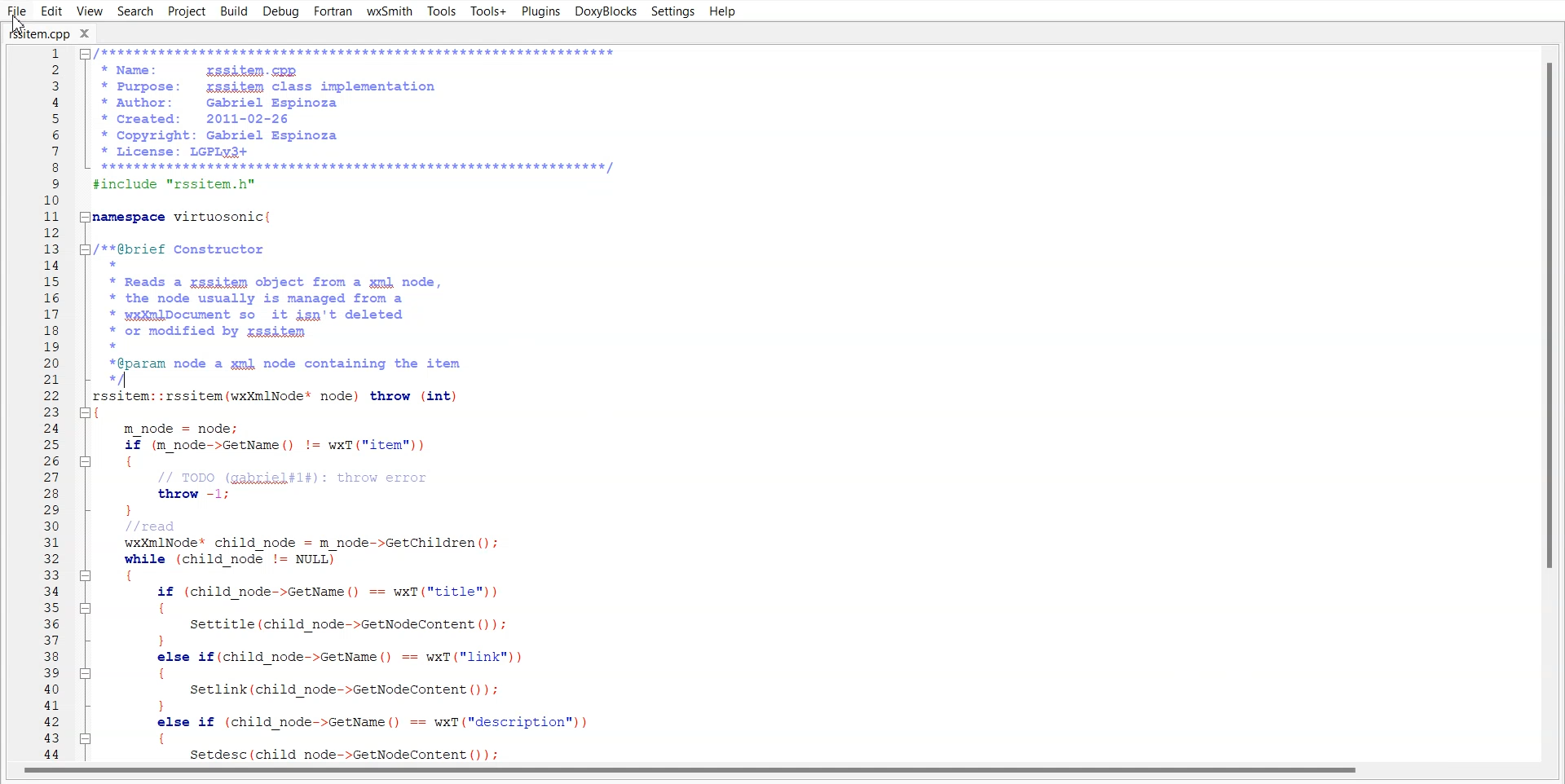  What do you see at coordinates (50, 403) in the screenshot?
I see `Line Number` at bounding box center [50, 403].